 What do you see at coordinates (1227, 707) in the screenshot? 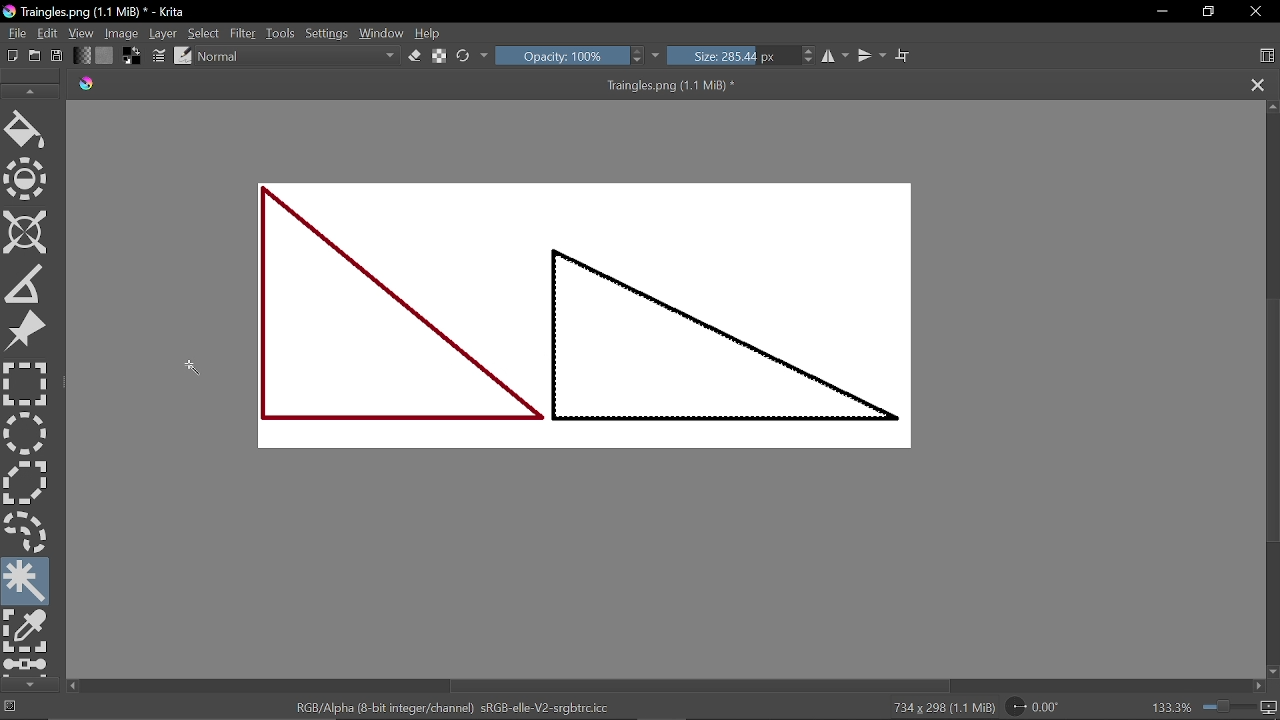
I see `zoom bar` at bounding box center [1227, 707].